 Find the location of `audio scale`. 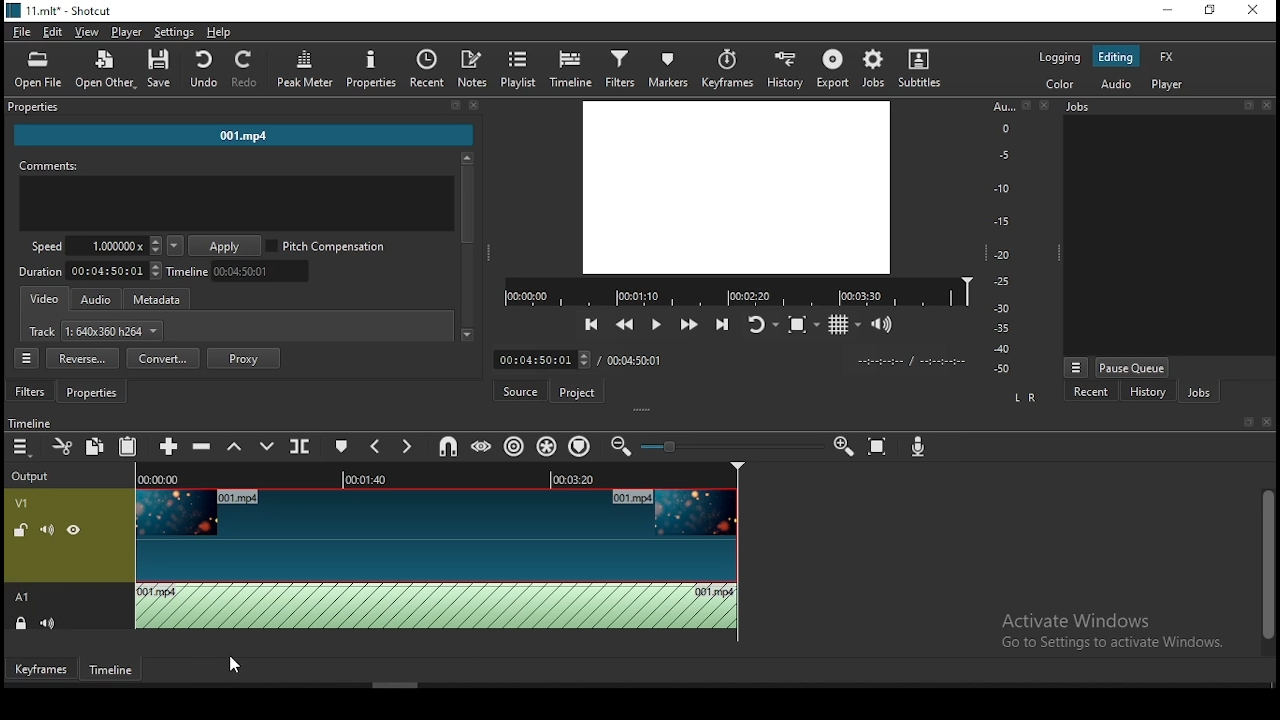

audio scale is located at coordinates (1017, 238).